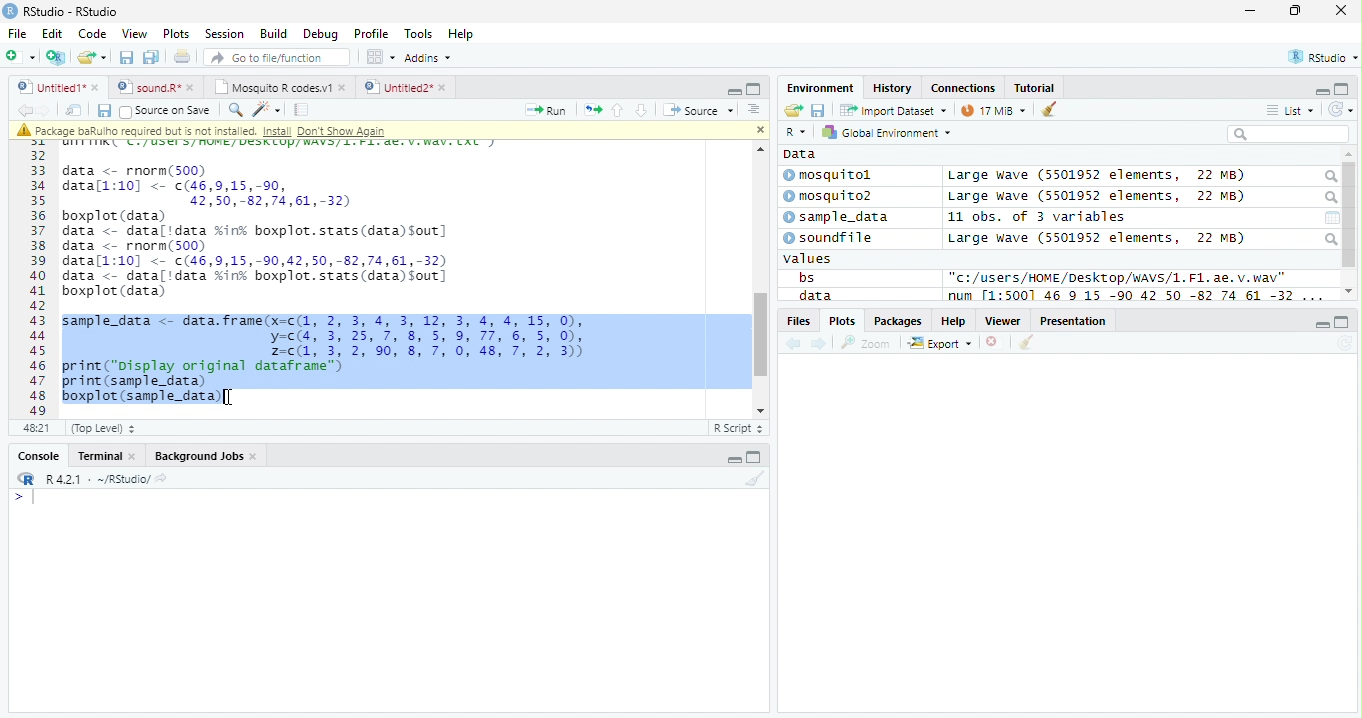  I want to click on Compile report, so click(302, 110).